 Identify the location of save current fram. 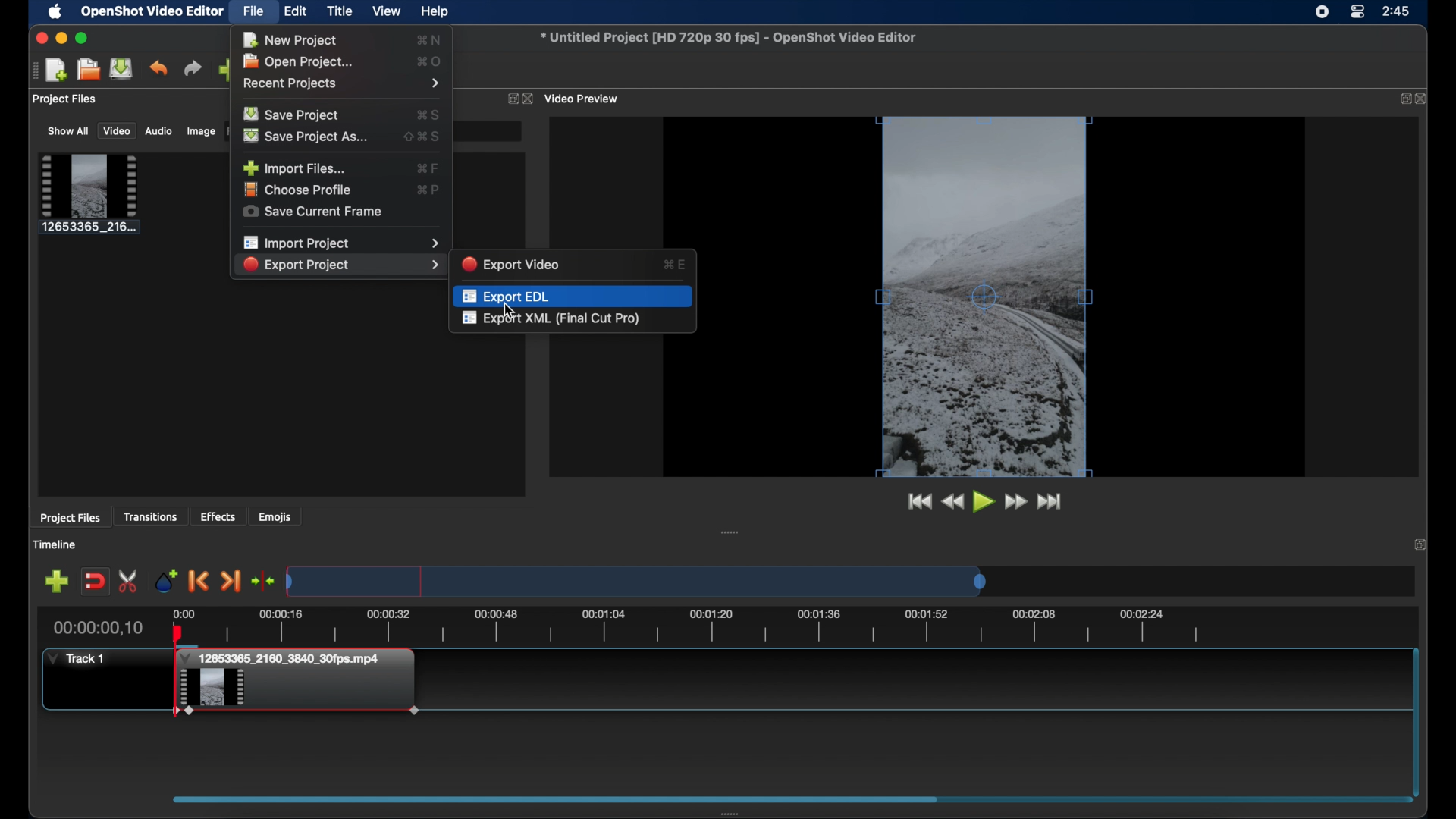
(313, 212).